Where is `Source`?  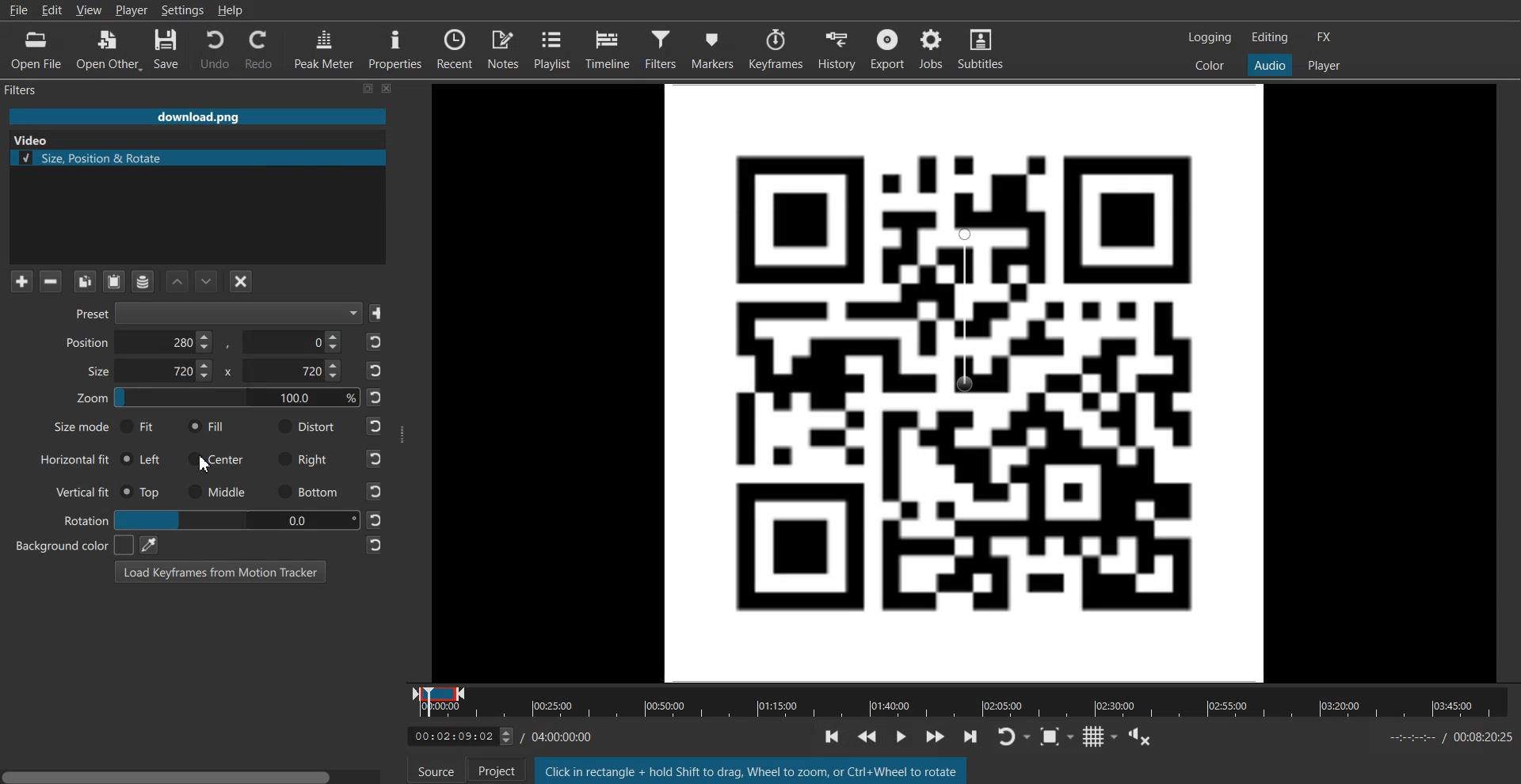
Source is located at coordinates (436, 772).